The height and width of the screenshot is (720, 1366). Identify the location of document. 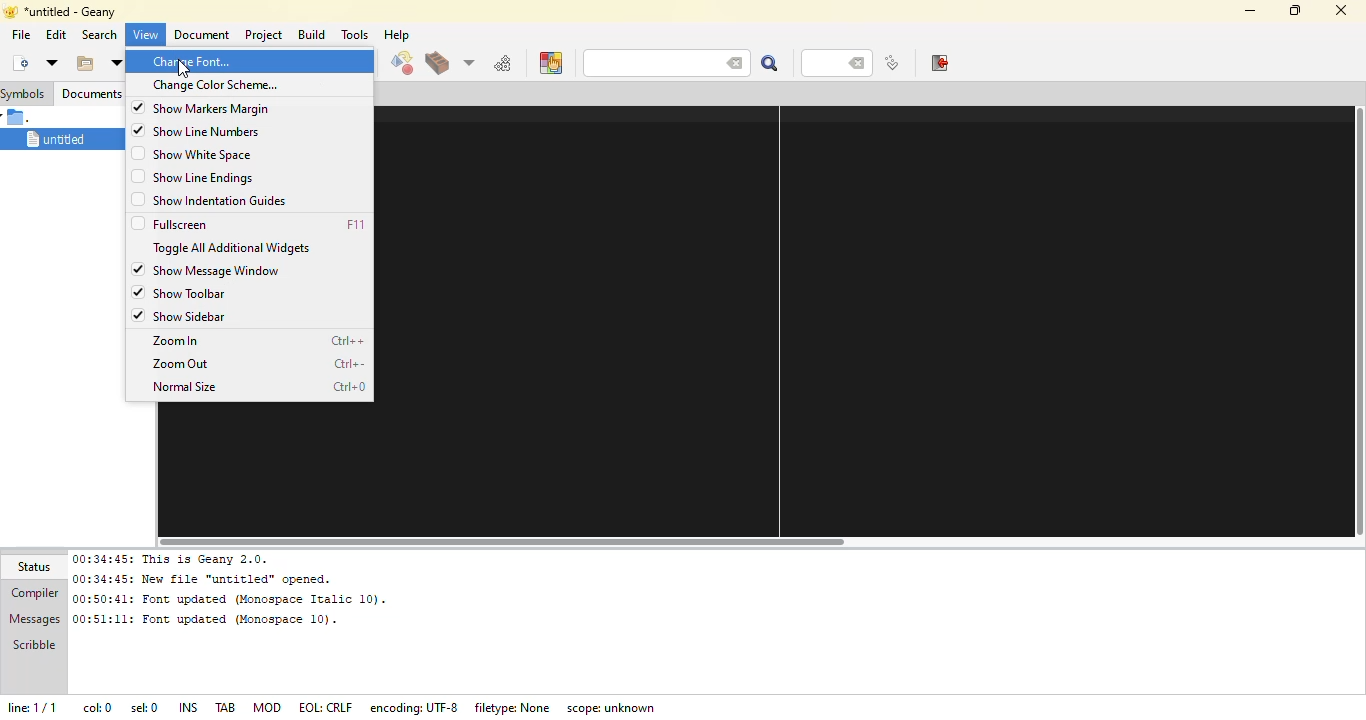
(199, 35).